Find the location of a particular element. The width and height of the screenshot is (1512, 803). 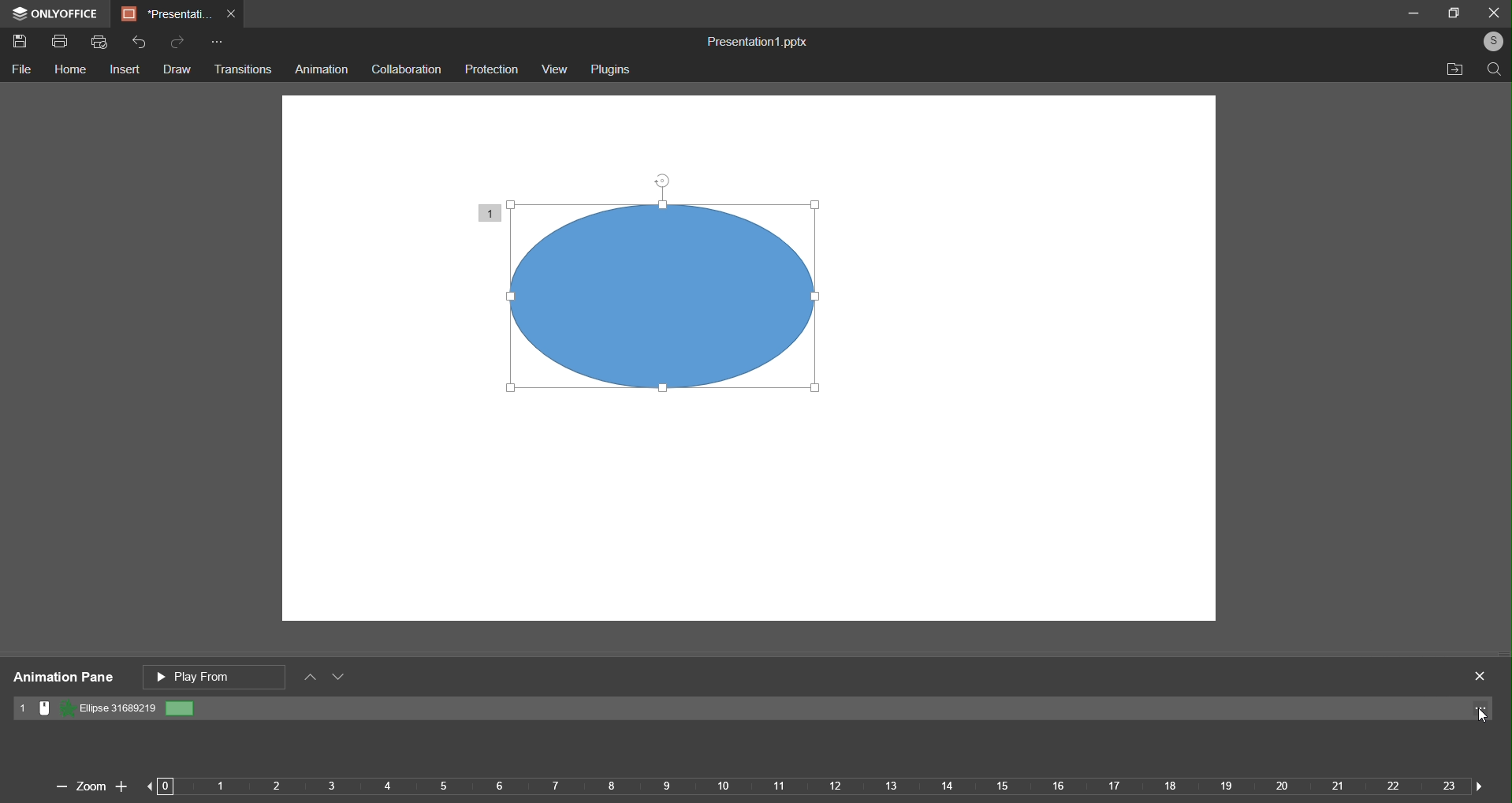

Presentation1.pptx is located at coordinates (753, 39).